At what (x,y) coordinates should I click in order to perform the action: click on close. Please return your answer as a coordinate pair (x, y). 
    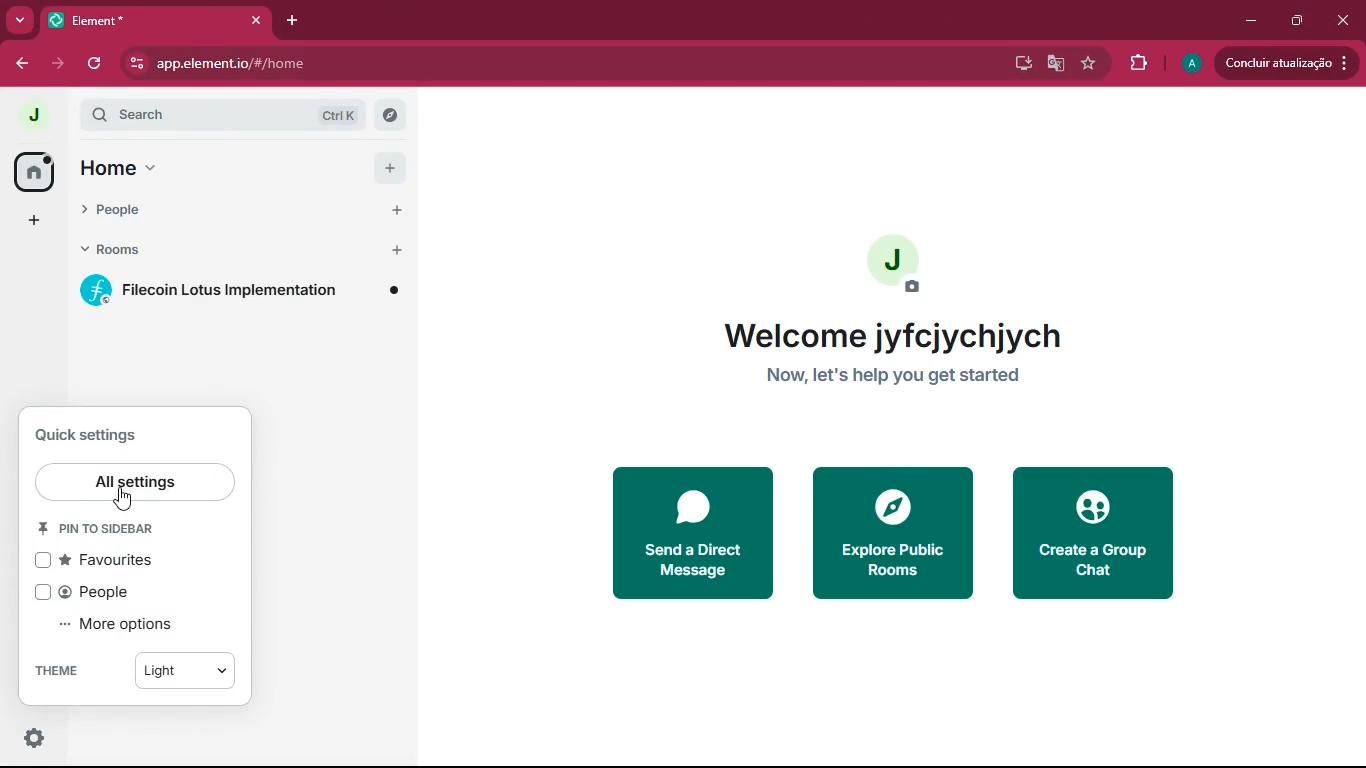
    Looking at the image, I should click on (255, 20).